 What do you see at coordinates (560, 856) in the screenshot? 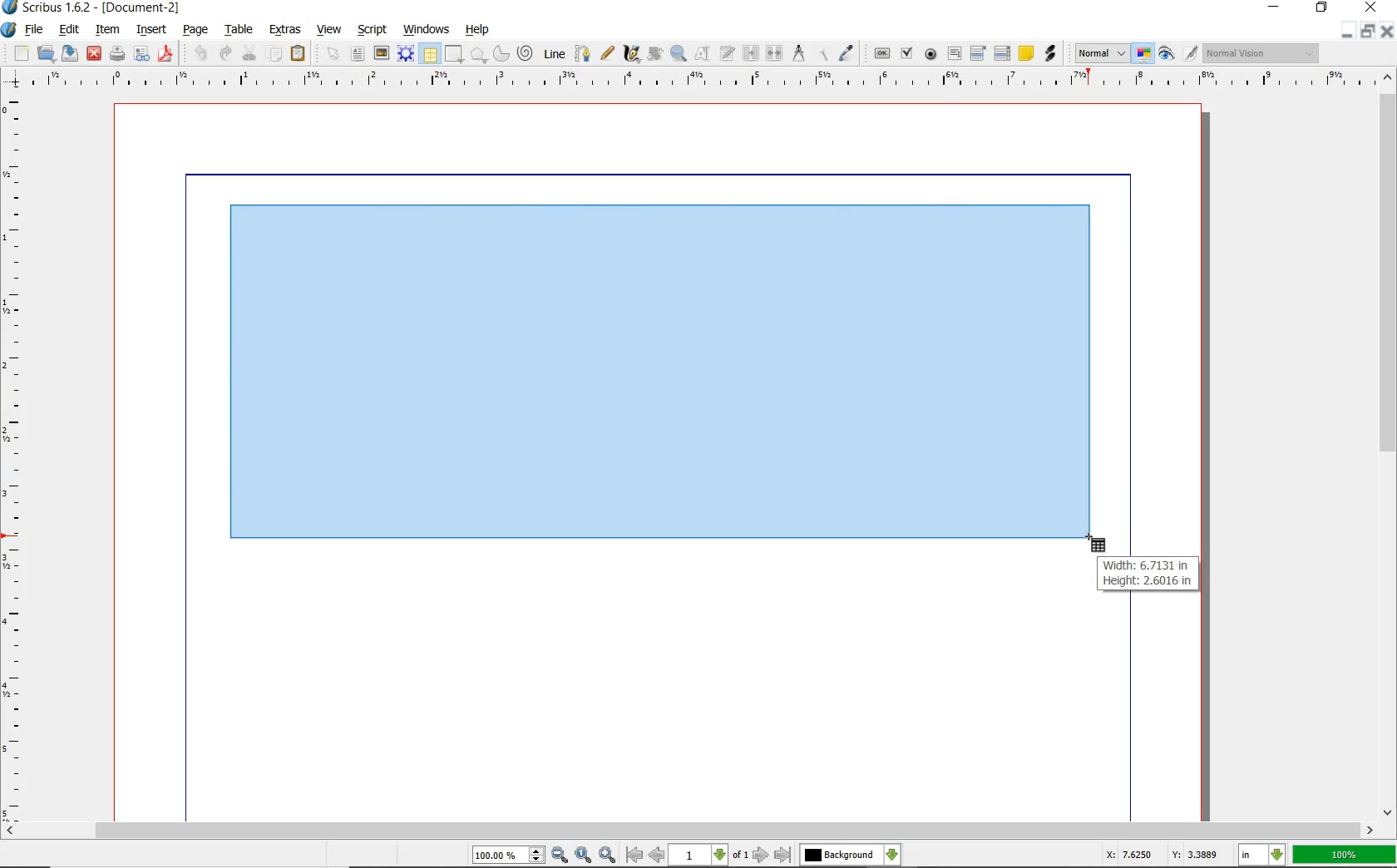
I see `zoom out` at bounding box center [560, 856].